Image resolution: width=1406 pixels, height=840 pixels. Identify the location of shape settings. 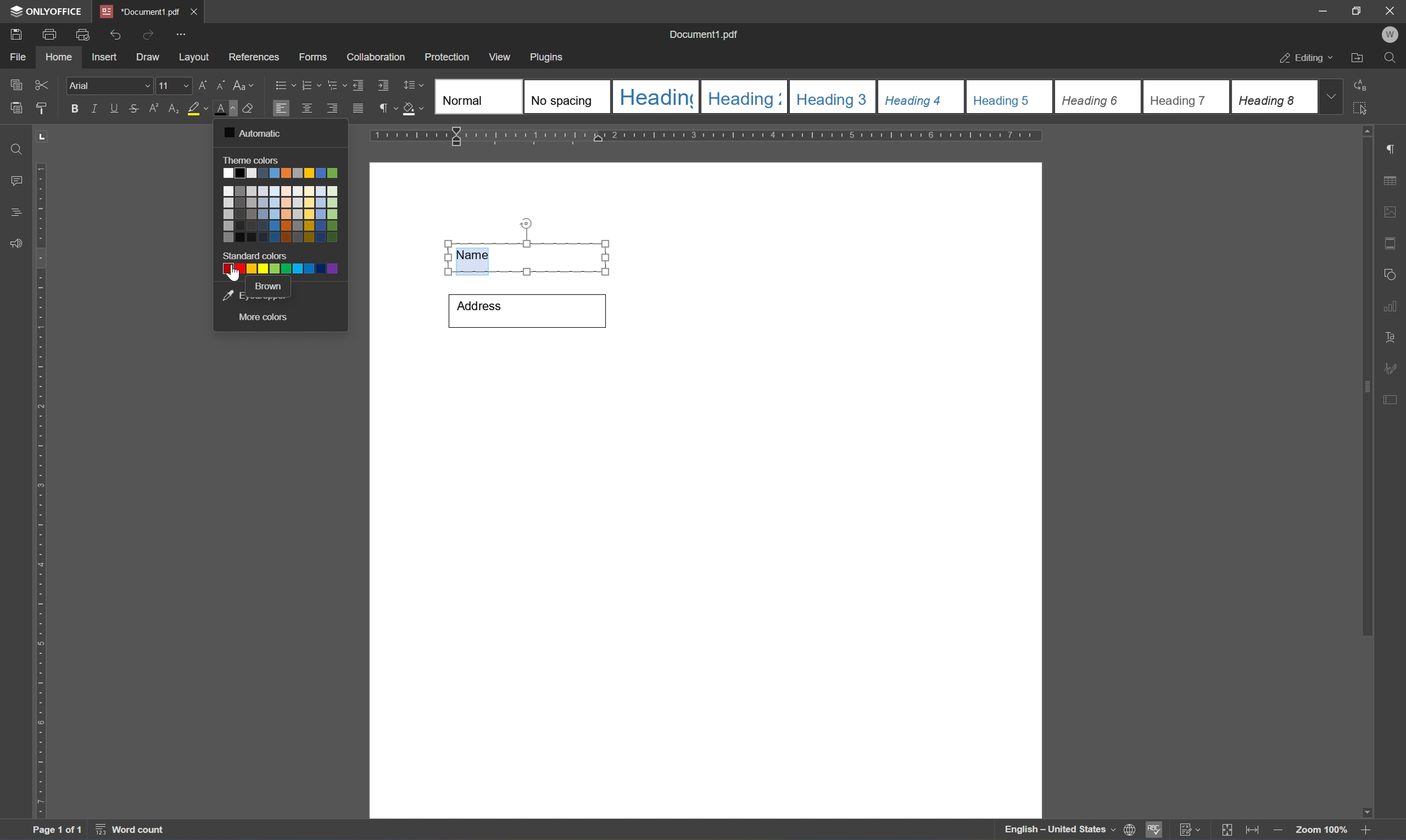
(1393, 272).